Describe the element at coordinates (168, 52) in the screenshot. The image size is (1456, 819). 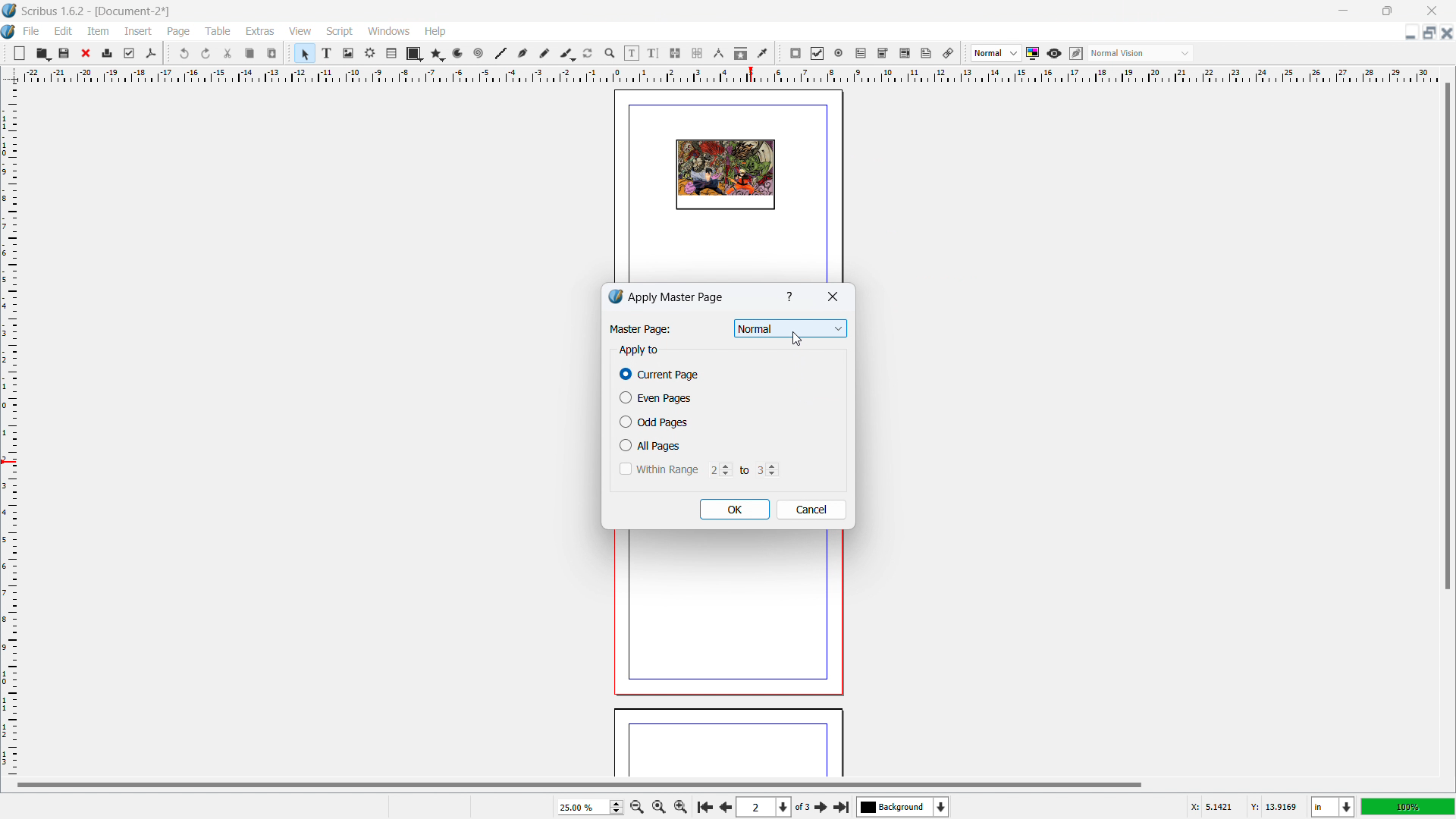
I see `move toolbox` at that location.